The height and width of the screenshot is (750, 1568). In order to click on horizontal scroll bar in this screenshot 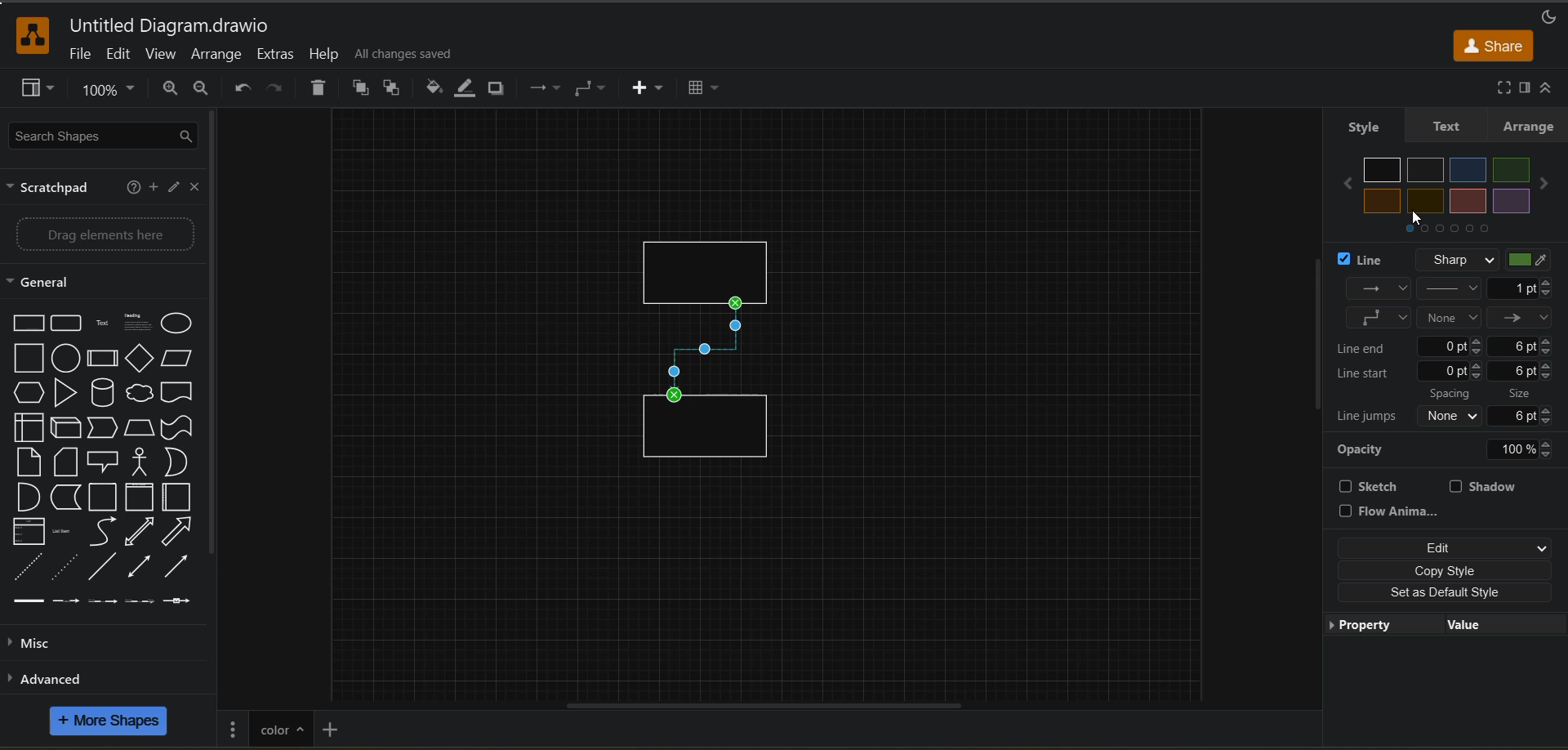, I will do `click(759, 703)`.